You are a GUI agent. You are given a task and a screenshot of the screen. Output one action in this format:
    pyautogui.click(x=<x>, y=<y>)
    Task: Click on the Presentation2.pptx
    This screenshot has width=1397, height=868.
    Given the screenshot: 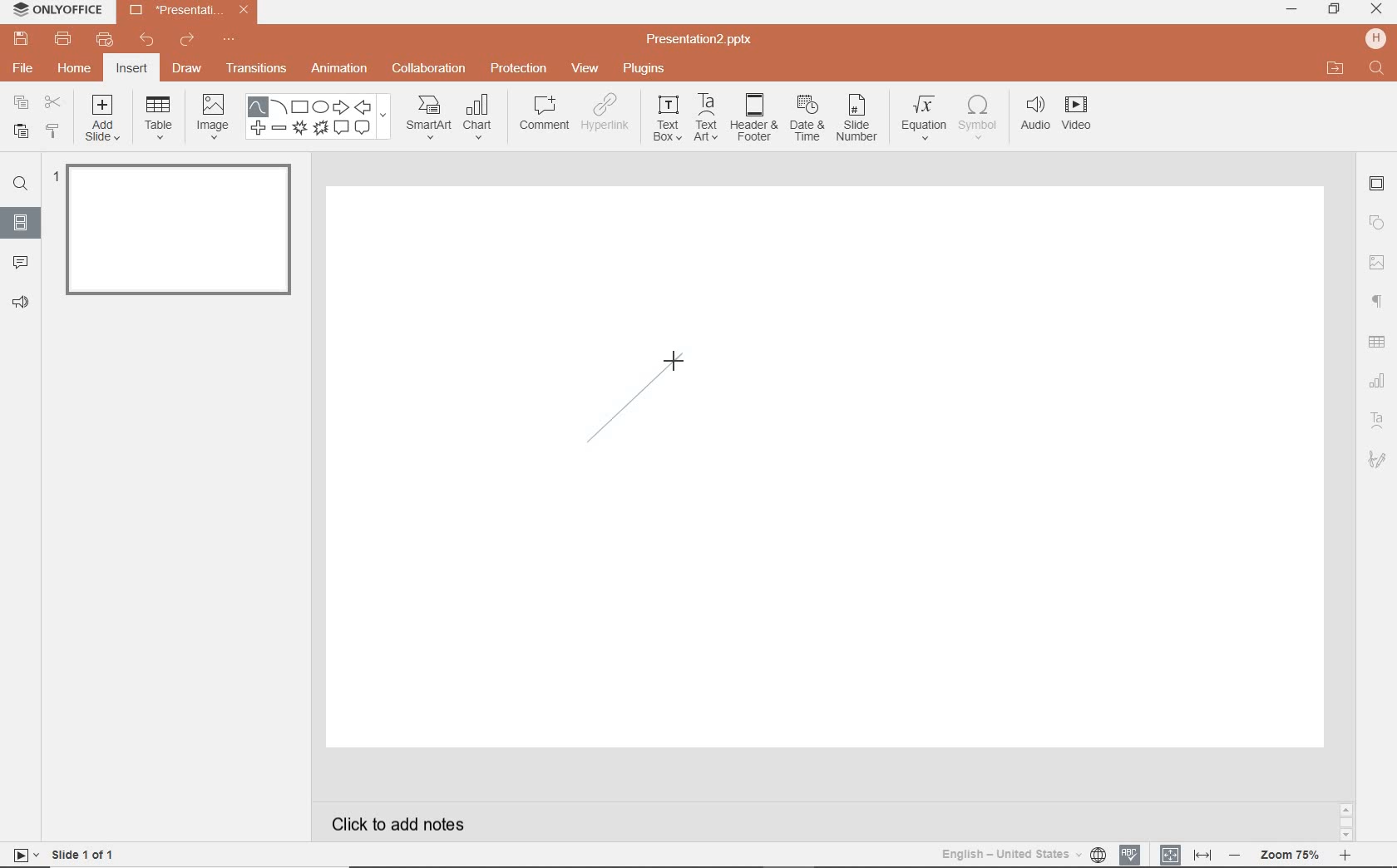 What is the action you would take?
    pyautogui.click(x=701, y=42)
    